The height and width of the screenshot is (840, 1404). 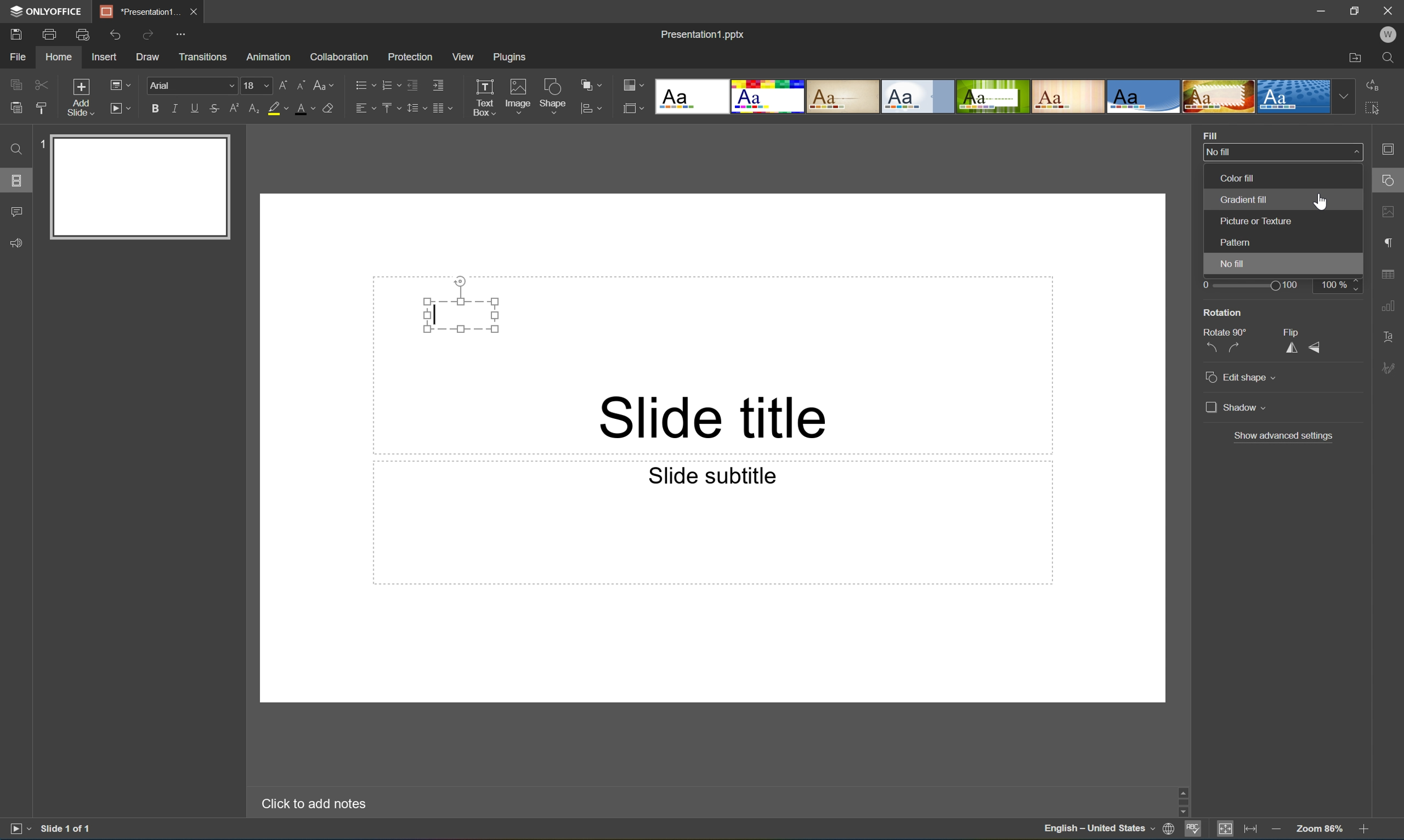 I want to click on Copy, so click(x=16, y=84).